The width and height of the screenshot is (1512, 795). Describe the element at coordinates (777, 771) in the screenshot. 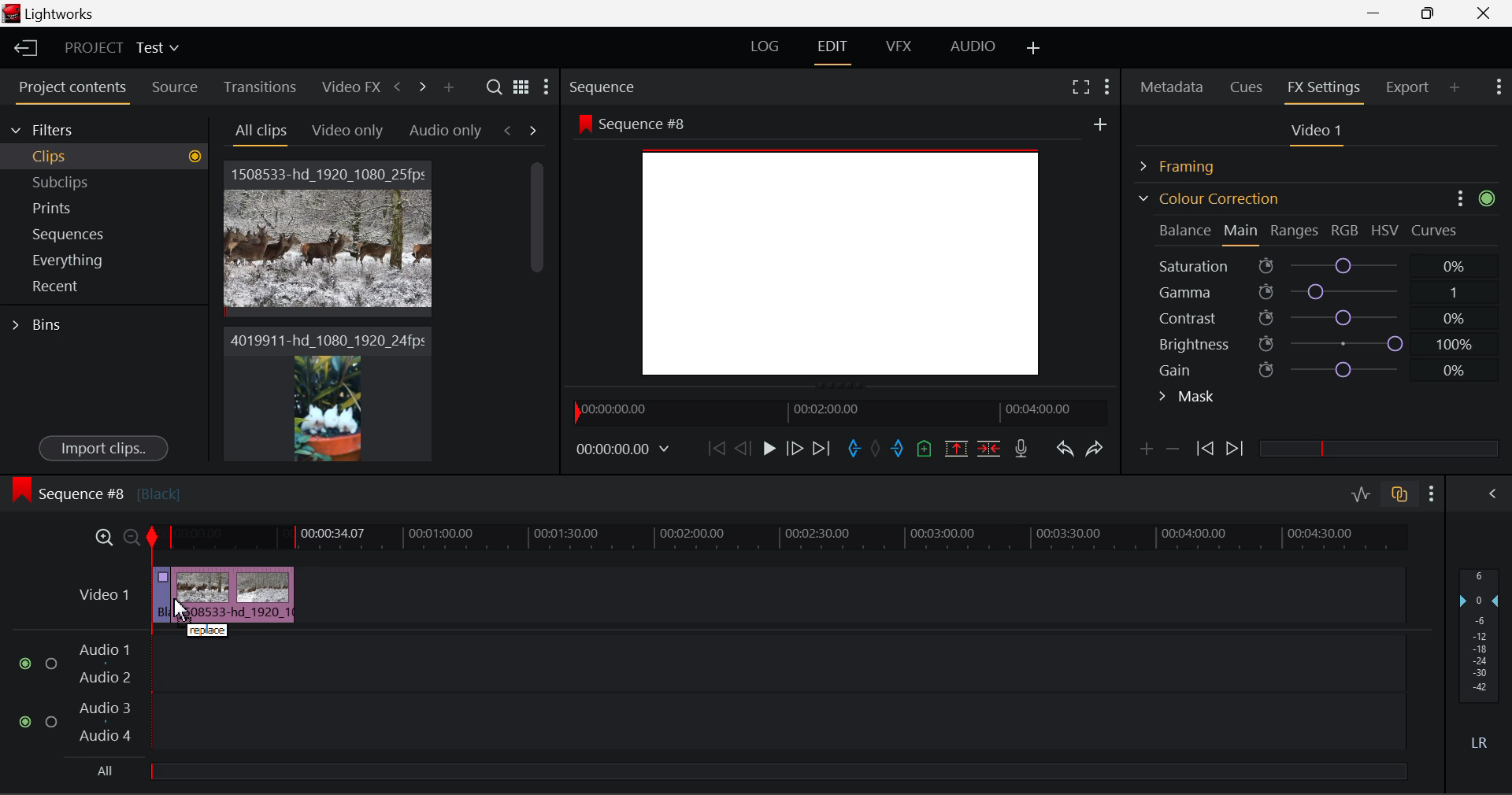

I see `slider` at that location.